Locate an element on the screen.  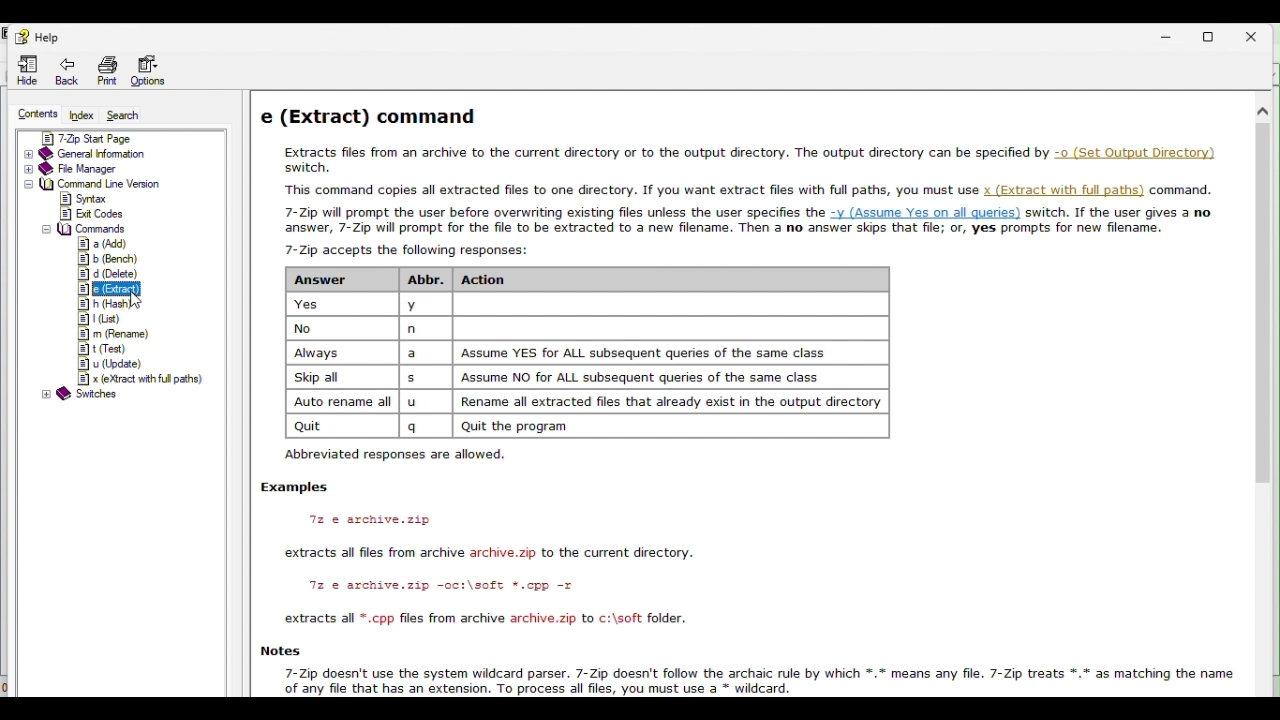
e( extract ) is located at coordinates (96, 288).